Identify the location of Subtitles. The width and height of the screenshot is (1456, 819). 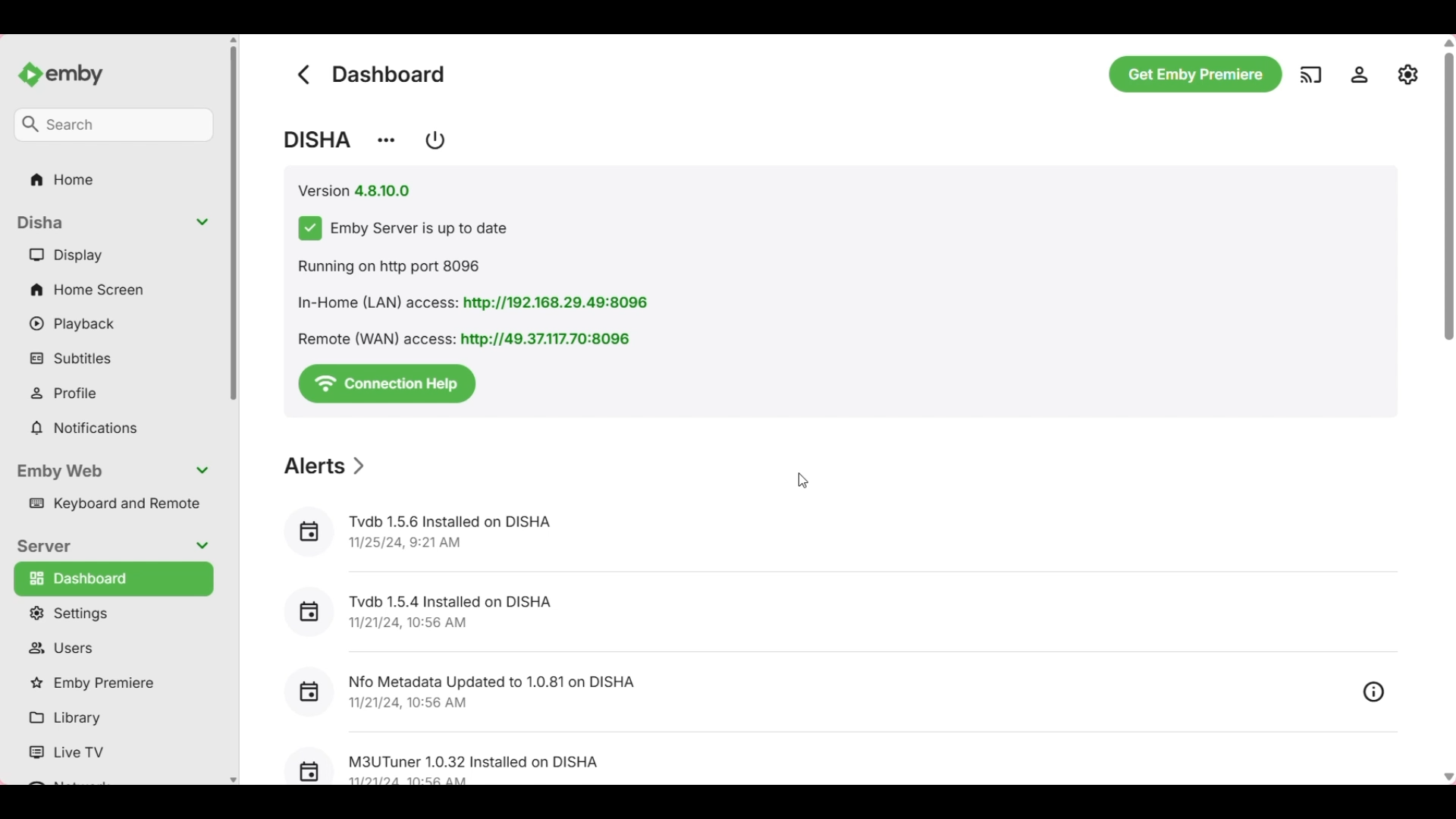
(113, 357).